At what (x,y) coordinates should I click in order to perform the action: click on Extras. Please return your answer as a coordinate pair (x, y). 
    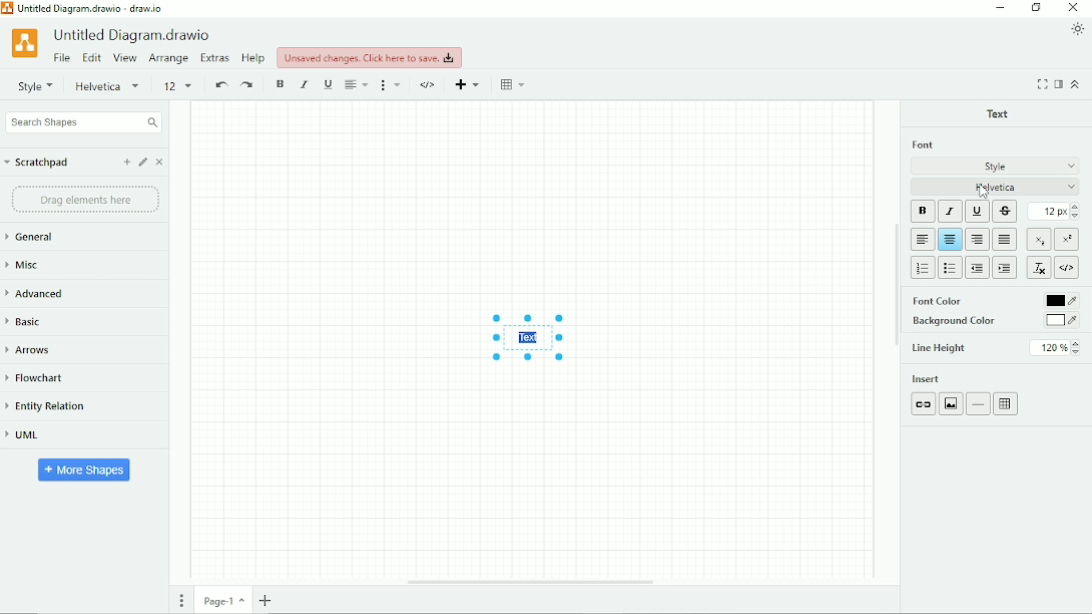
    Looking at the image, I should click on (216, 59).